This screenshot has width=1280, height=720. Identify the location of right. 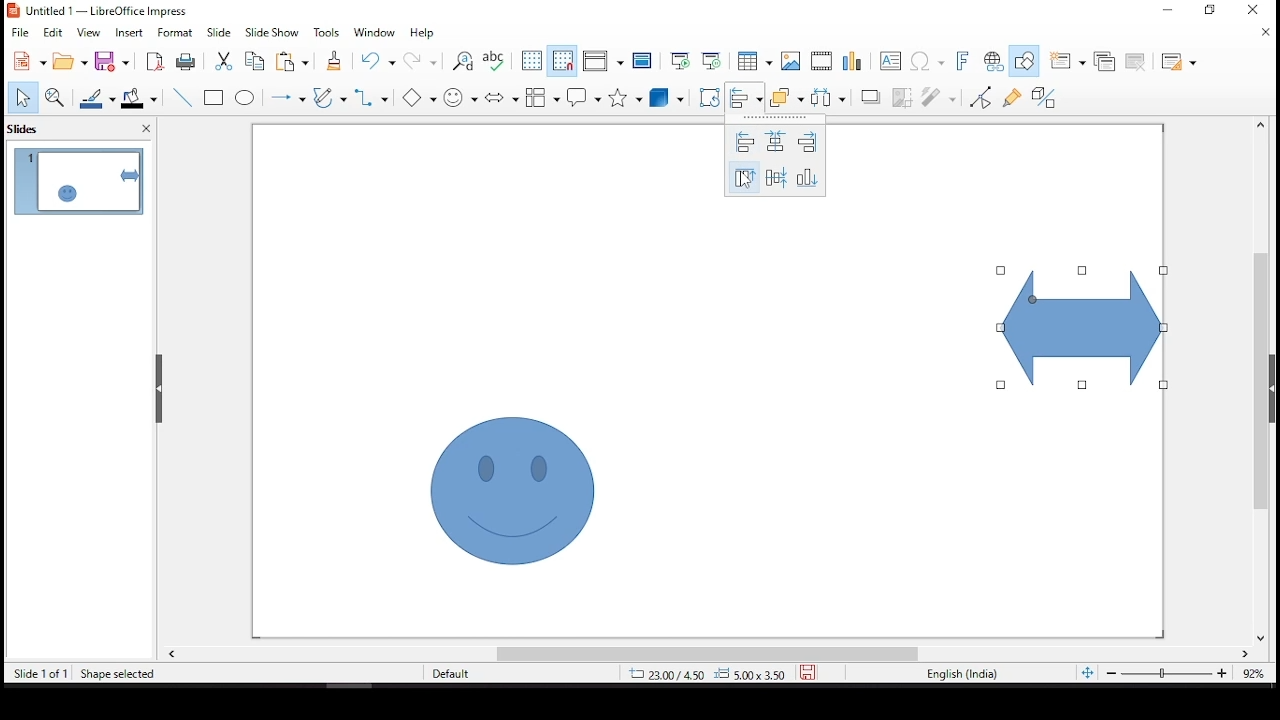
(808, 142).